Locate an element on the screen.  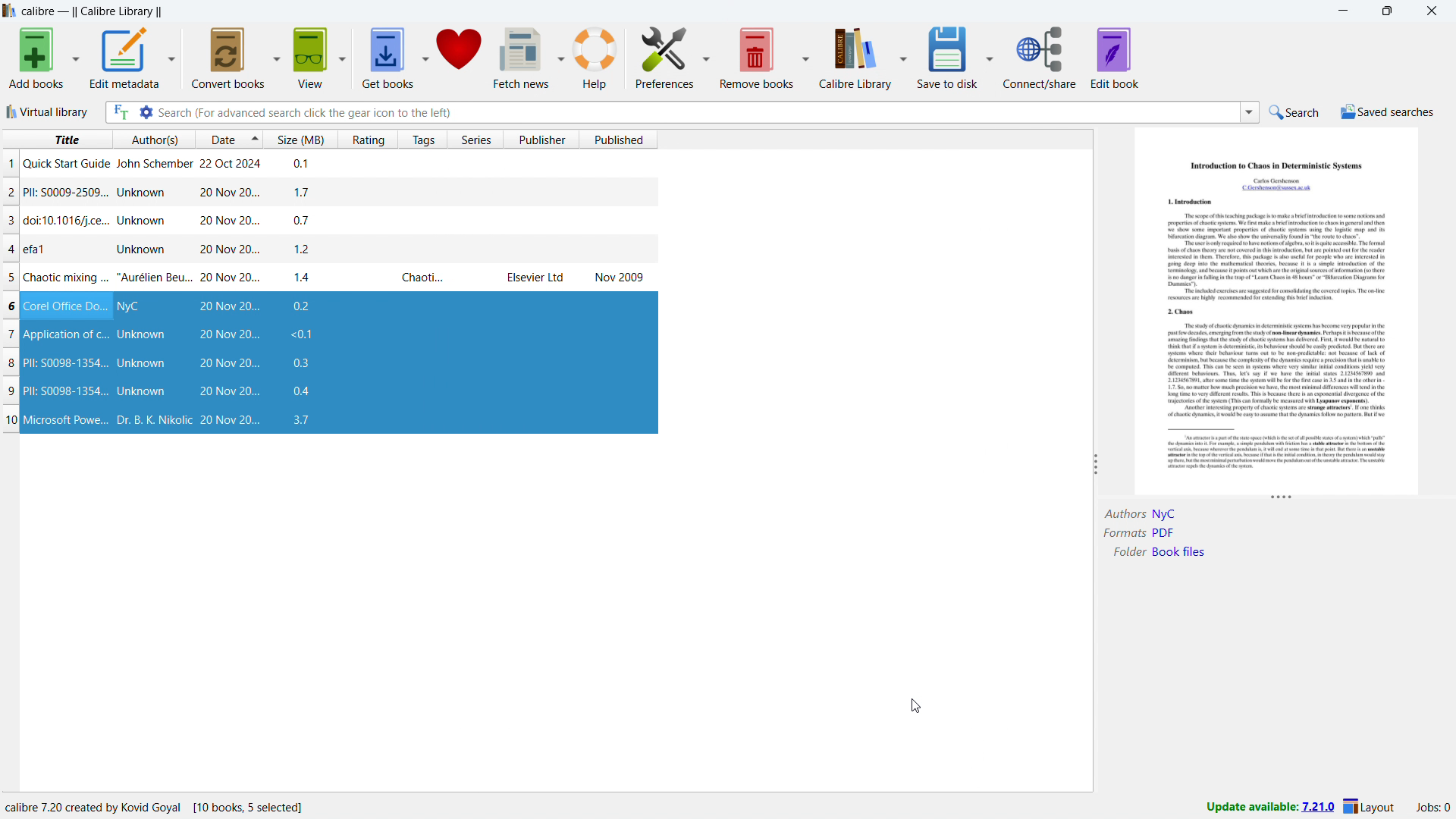
remove books options is located at coordinates (807, 59).